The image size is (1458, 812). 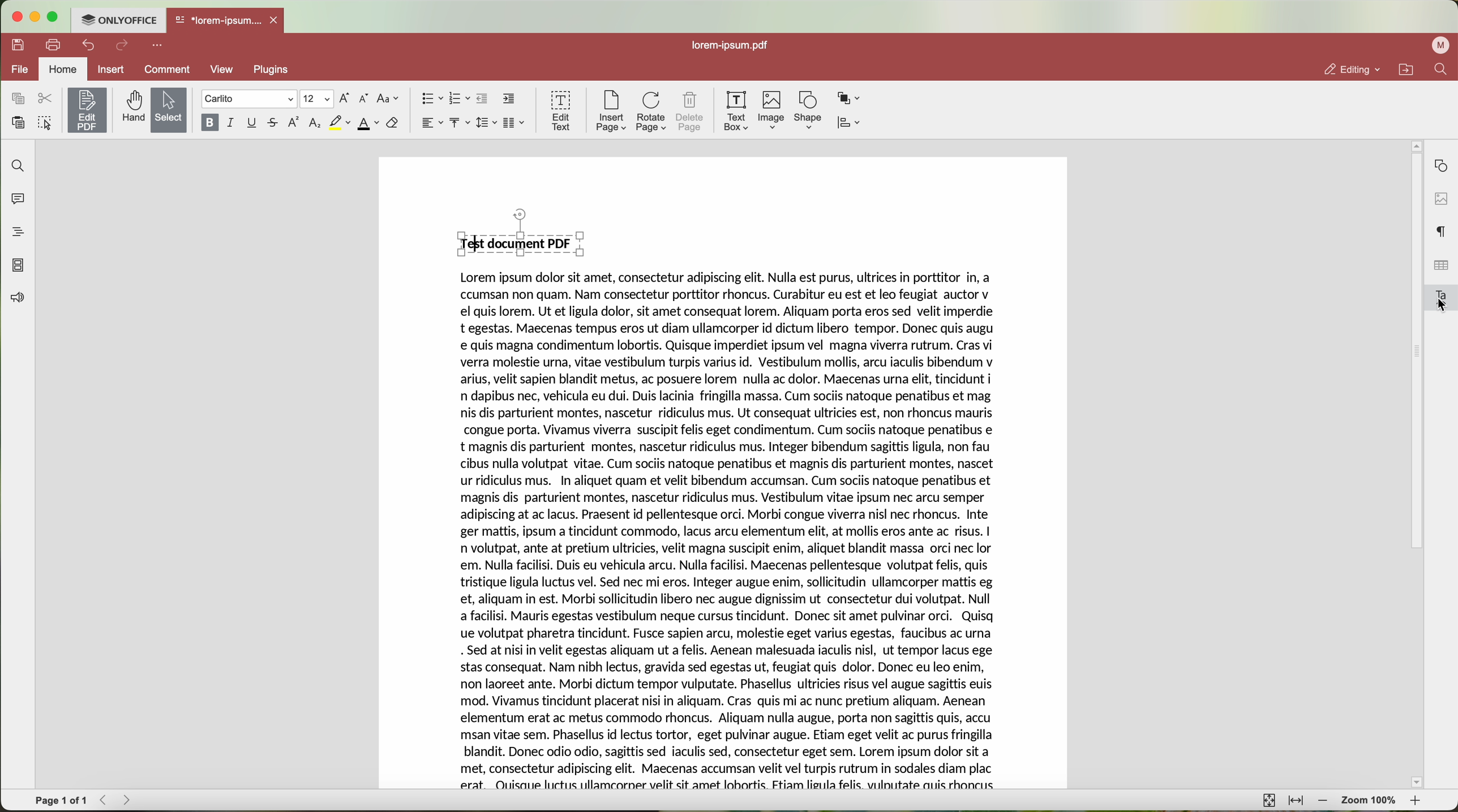 What do you see at coordinates (339, 123) in the screenshot?
I see `highlight color` at bounding box center [339, 123].